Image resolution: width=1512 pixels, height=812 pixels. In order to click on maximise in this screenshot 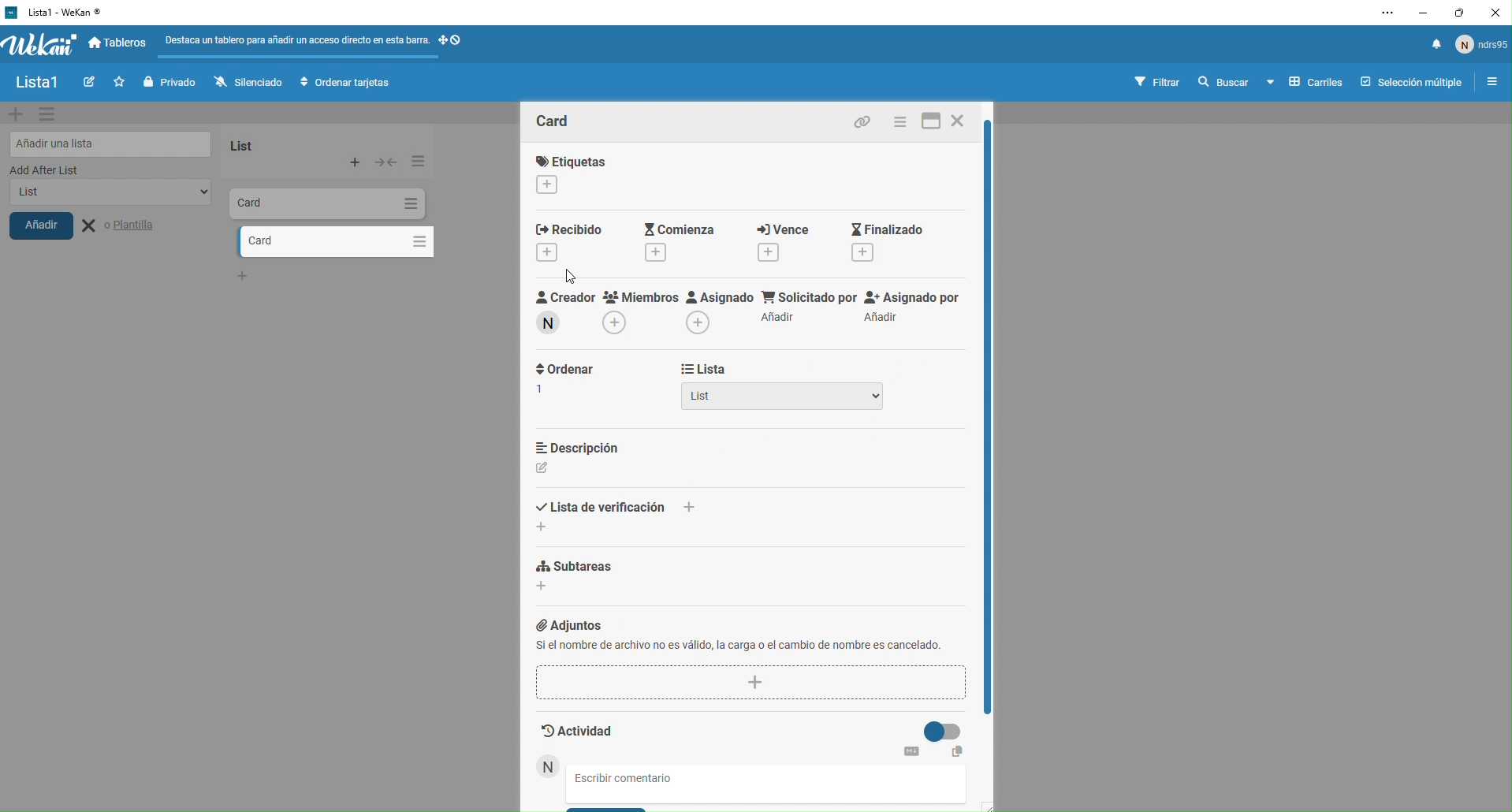, I will do `click(1461, 12)`.